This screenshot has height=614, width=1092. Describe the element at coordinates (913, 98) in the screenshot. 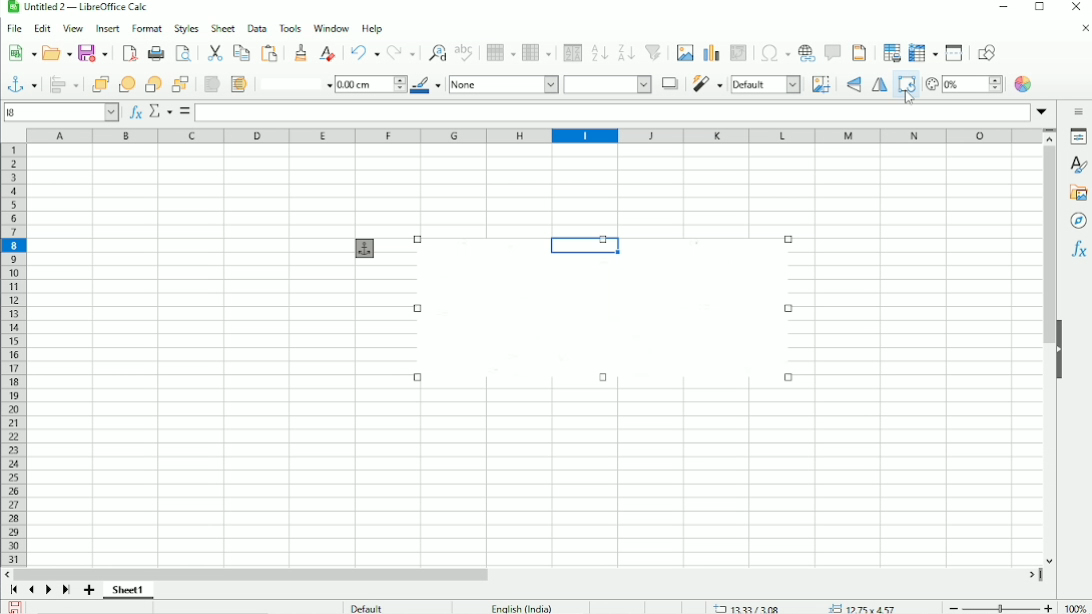

I see `cursor` at that location.